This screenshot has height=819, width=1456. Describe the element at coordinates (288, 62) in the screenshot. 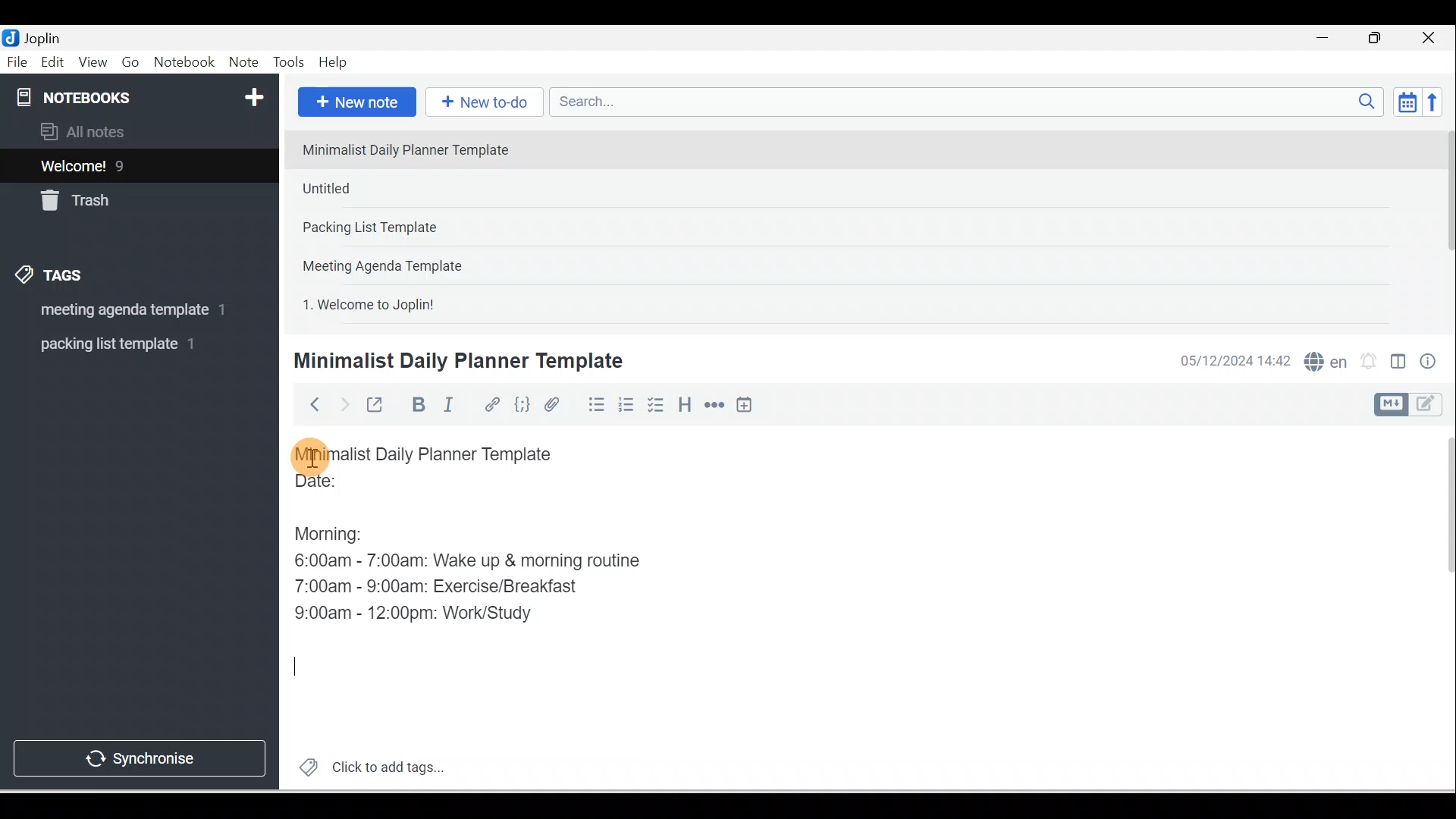

I see `Tools` at that location.